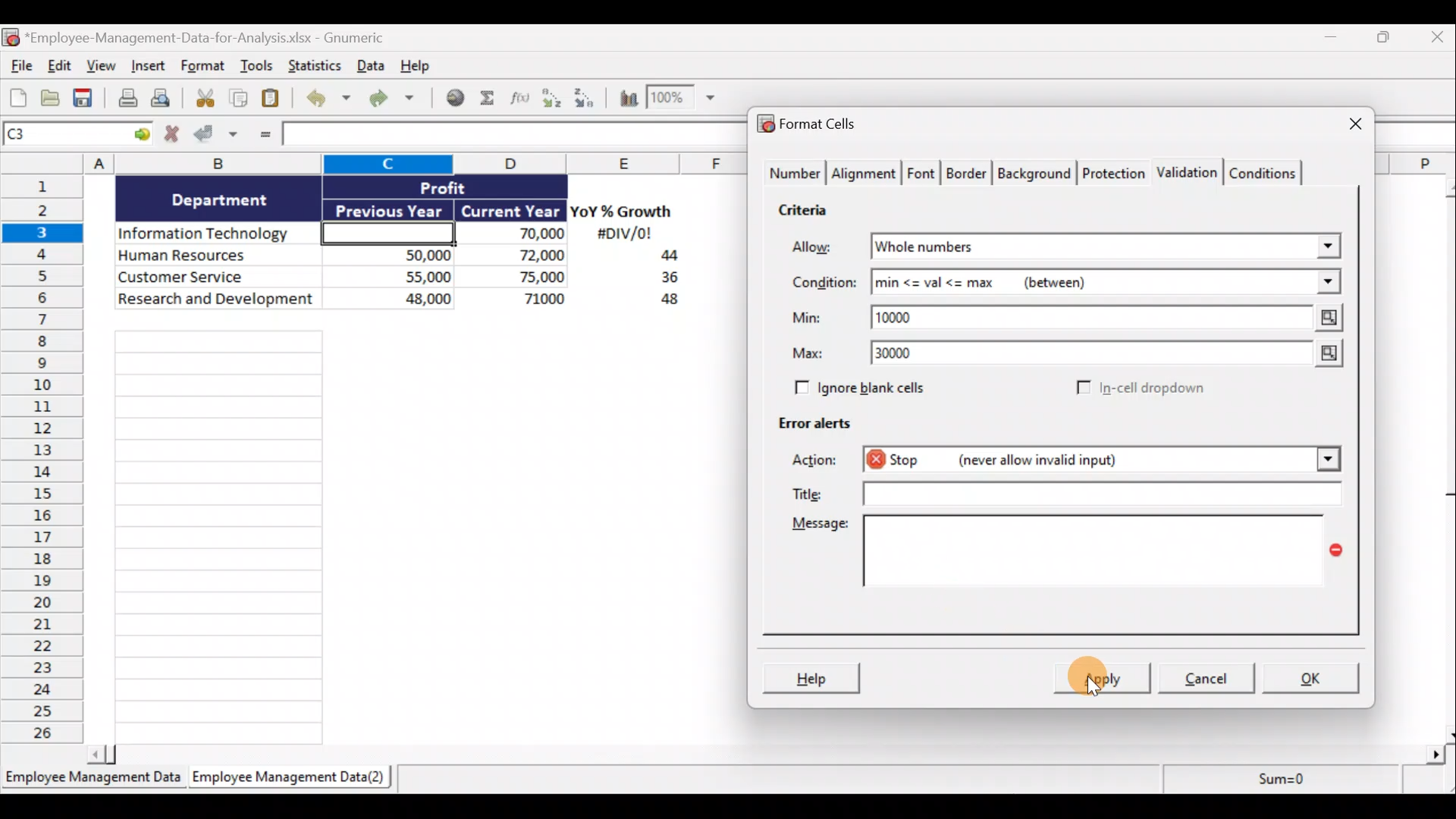 This screenshot has width=1456, height=819. What do you see at coordinates (151, 69) in the screenshot?
I see `Insert` at bounding box center [151, 69].